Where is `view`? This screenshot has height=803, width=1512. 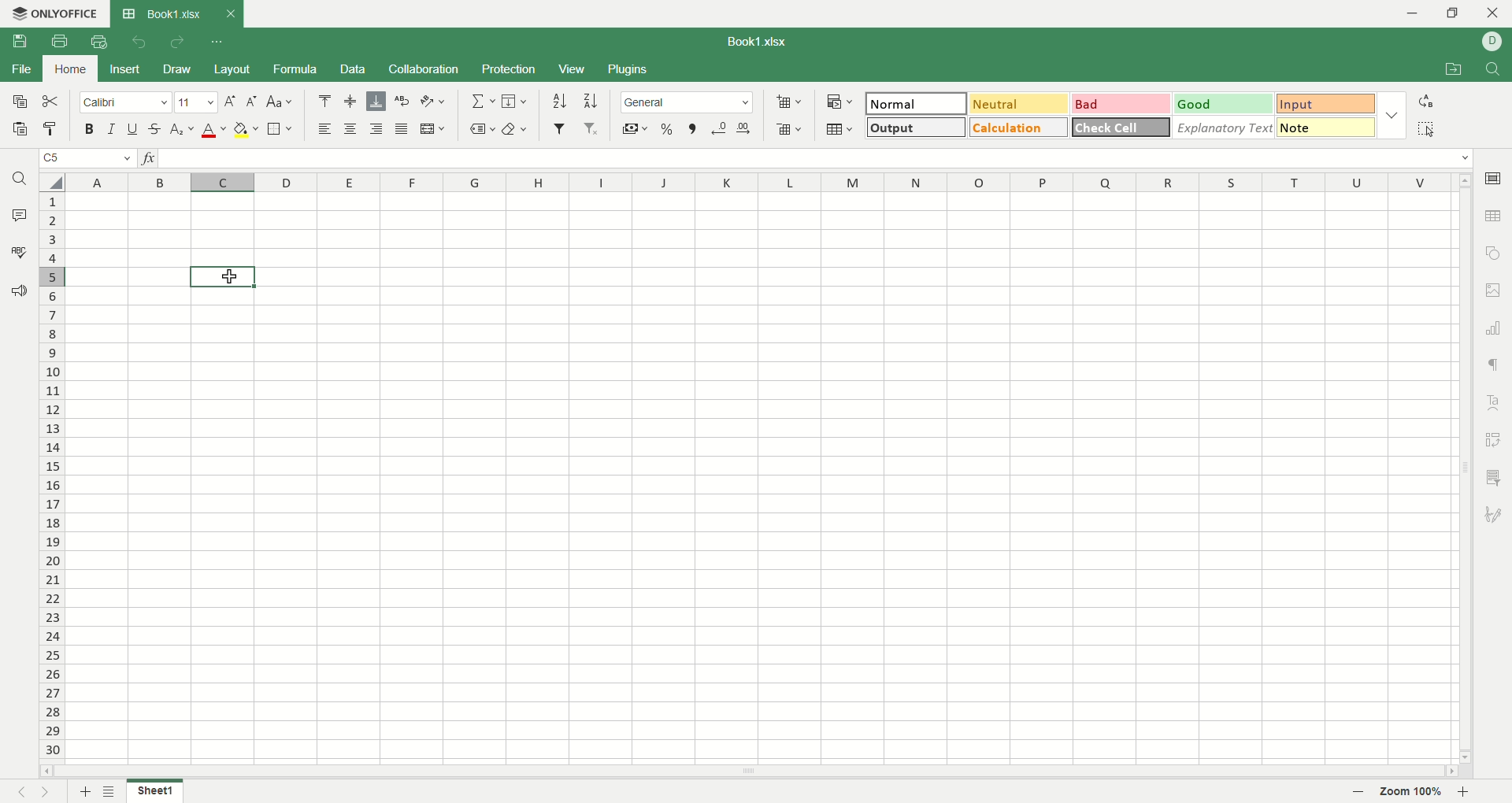 view is located at coordinates (571, 68).